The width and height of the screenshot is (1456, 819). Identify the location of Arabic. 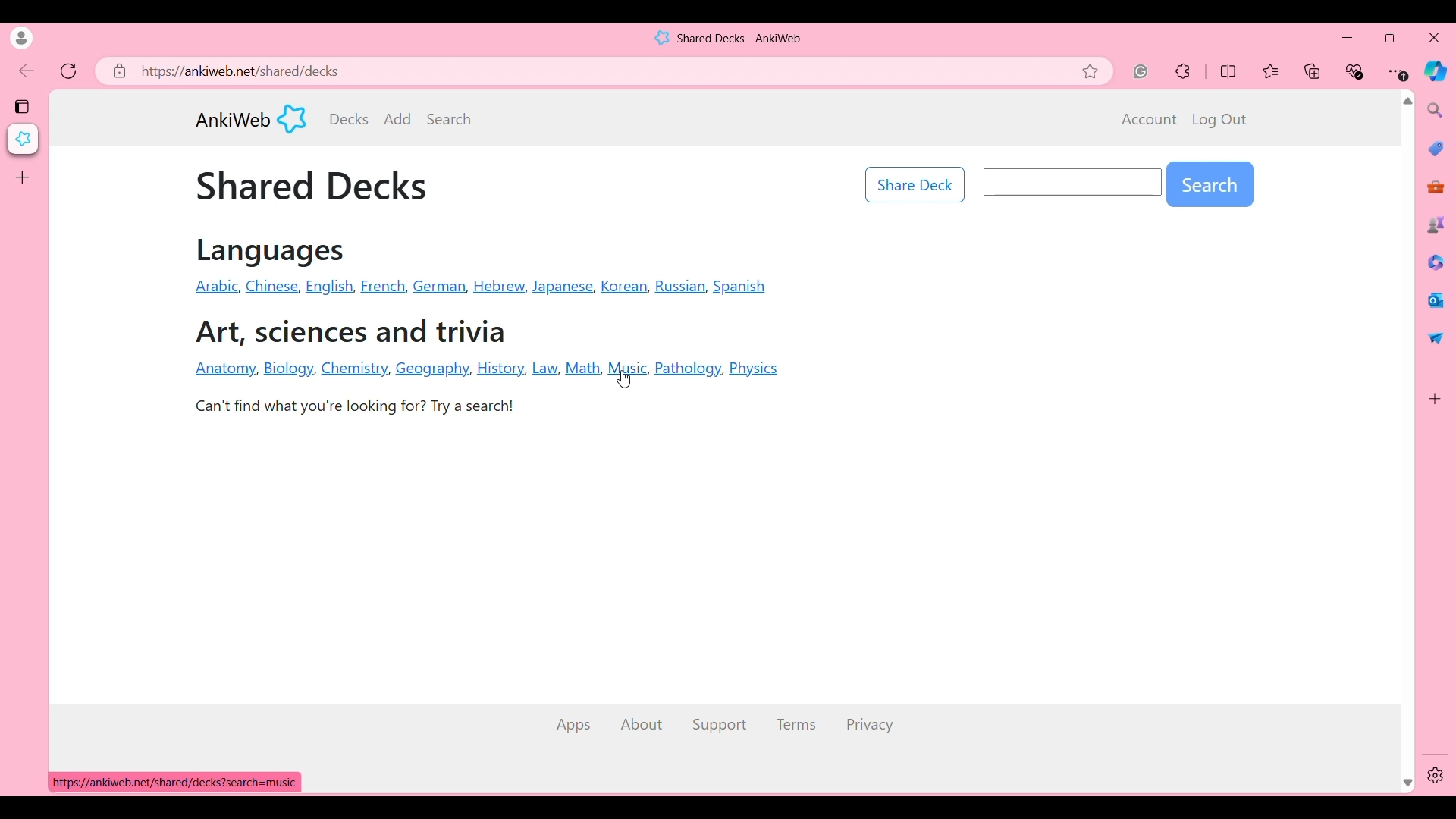
(217, 287).